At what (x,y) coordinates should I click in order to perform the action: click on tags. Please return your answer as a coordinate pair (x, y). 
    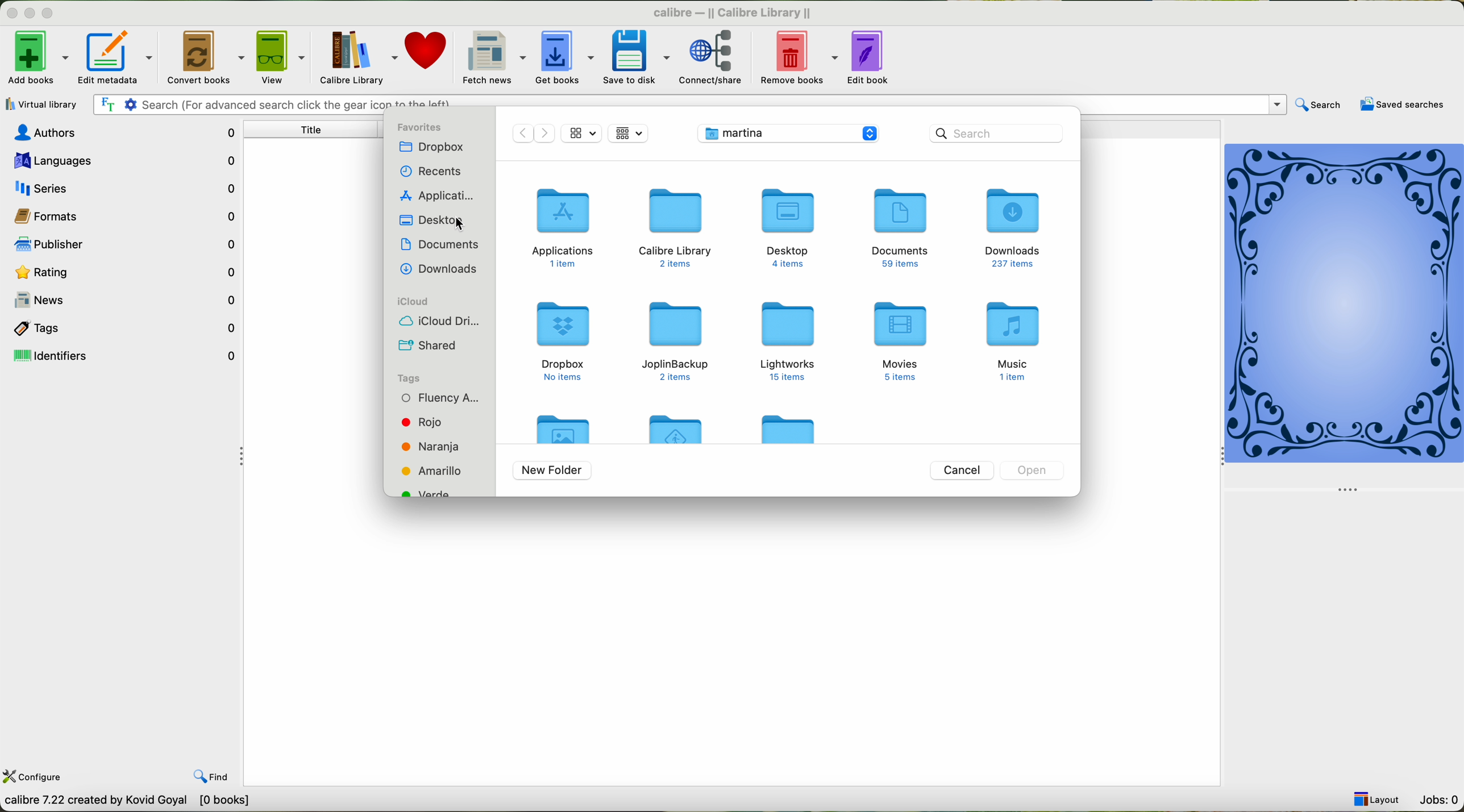
    Looking at the image, I should click on (416, 378).